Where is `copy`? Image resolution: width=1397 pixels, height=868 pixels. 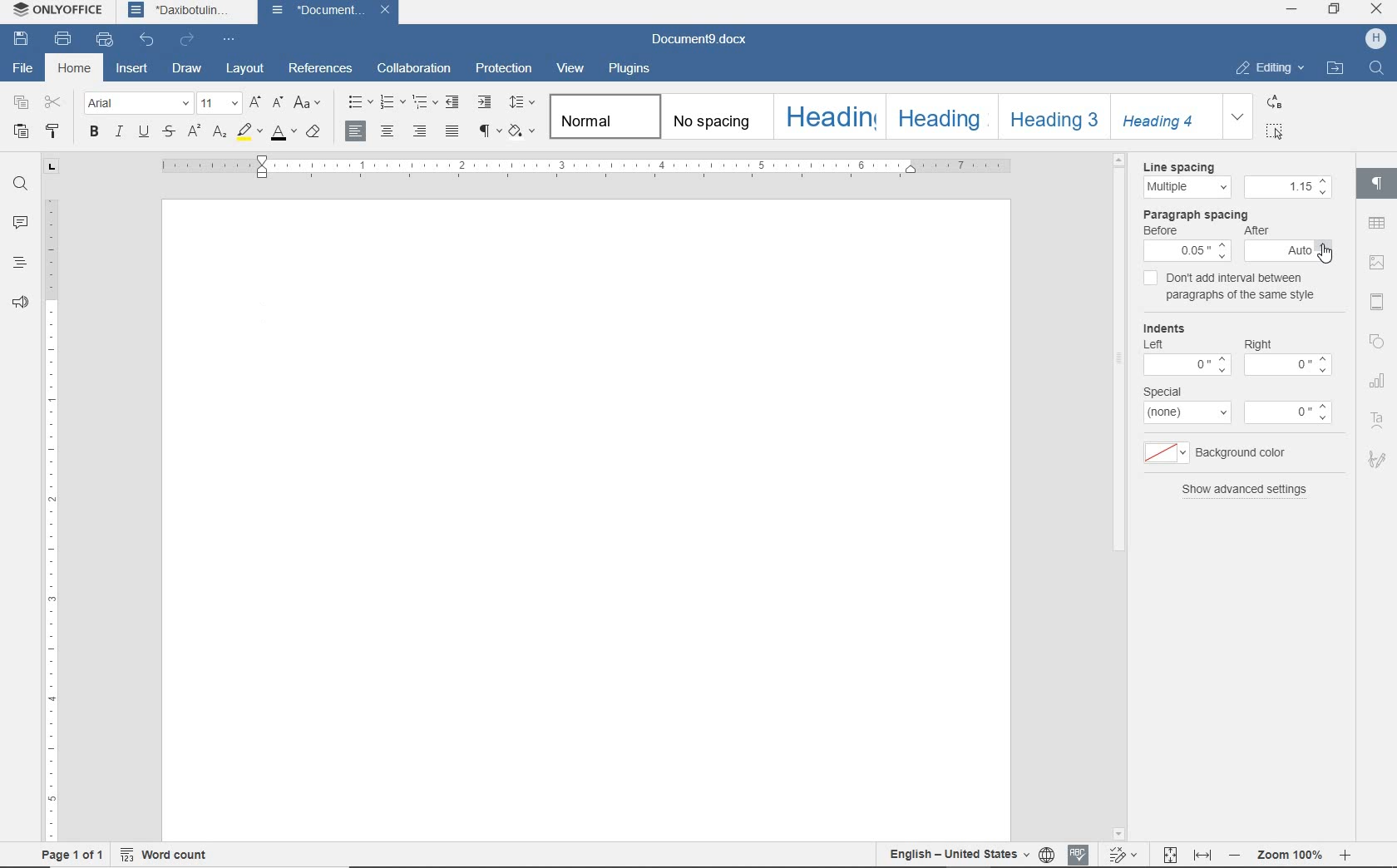
copy is located at coordinates (20, 103).